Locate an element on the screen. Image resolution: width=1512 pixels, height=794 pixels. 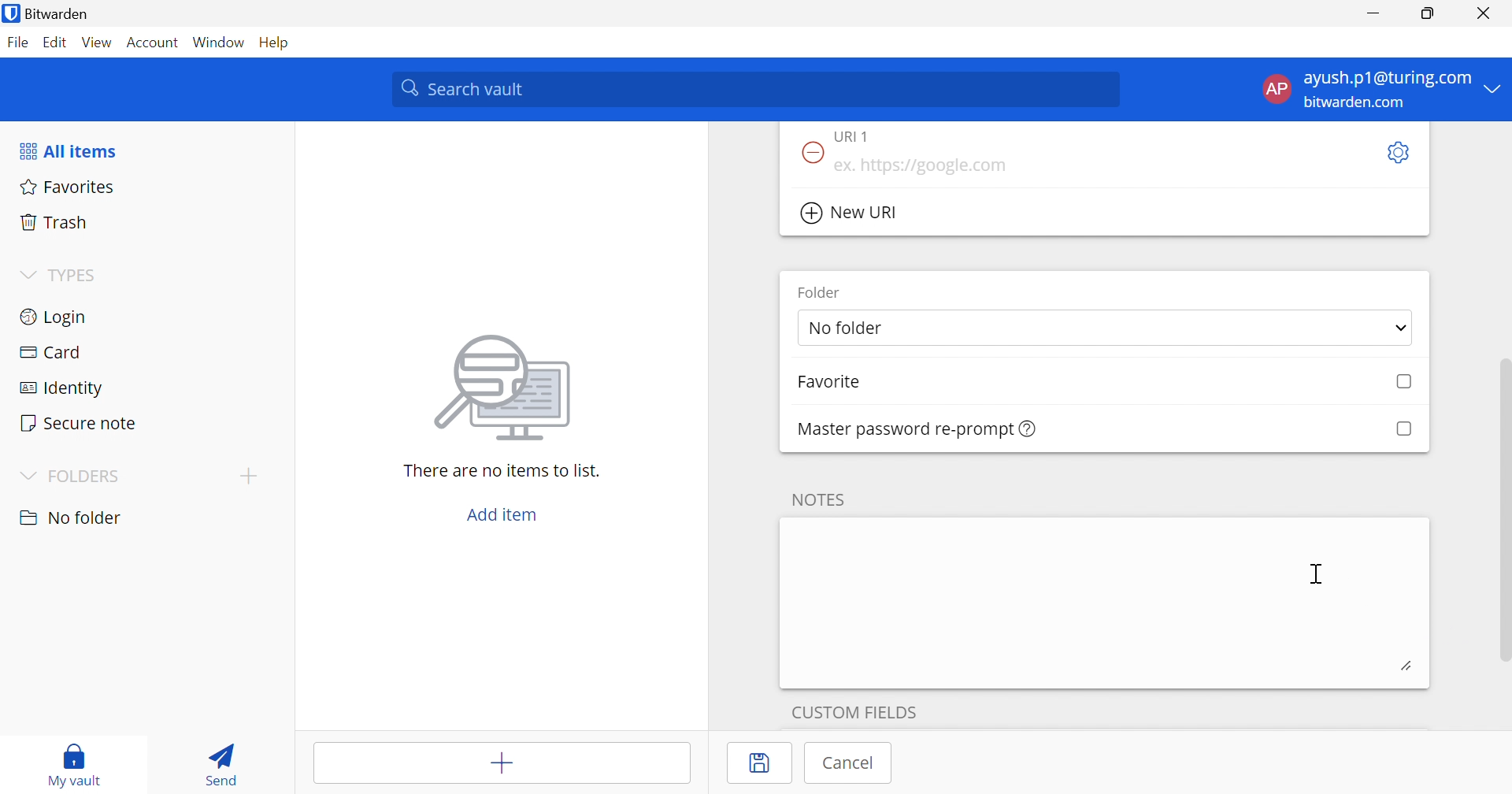
ex. https://google.com is located at coordinates (920, 166).